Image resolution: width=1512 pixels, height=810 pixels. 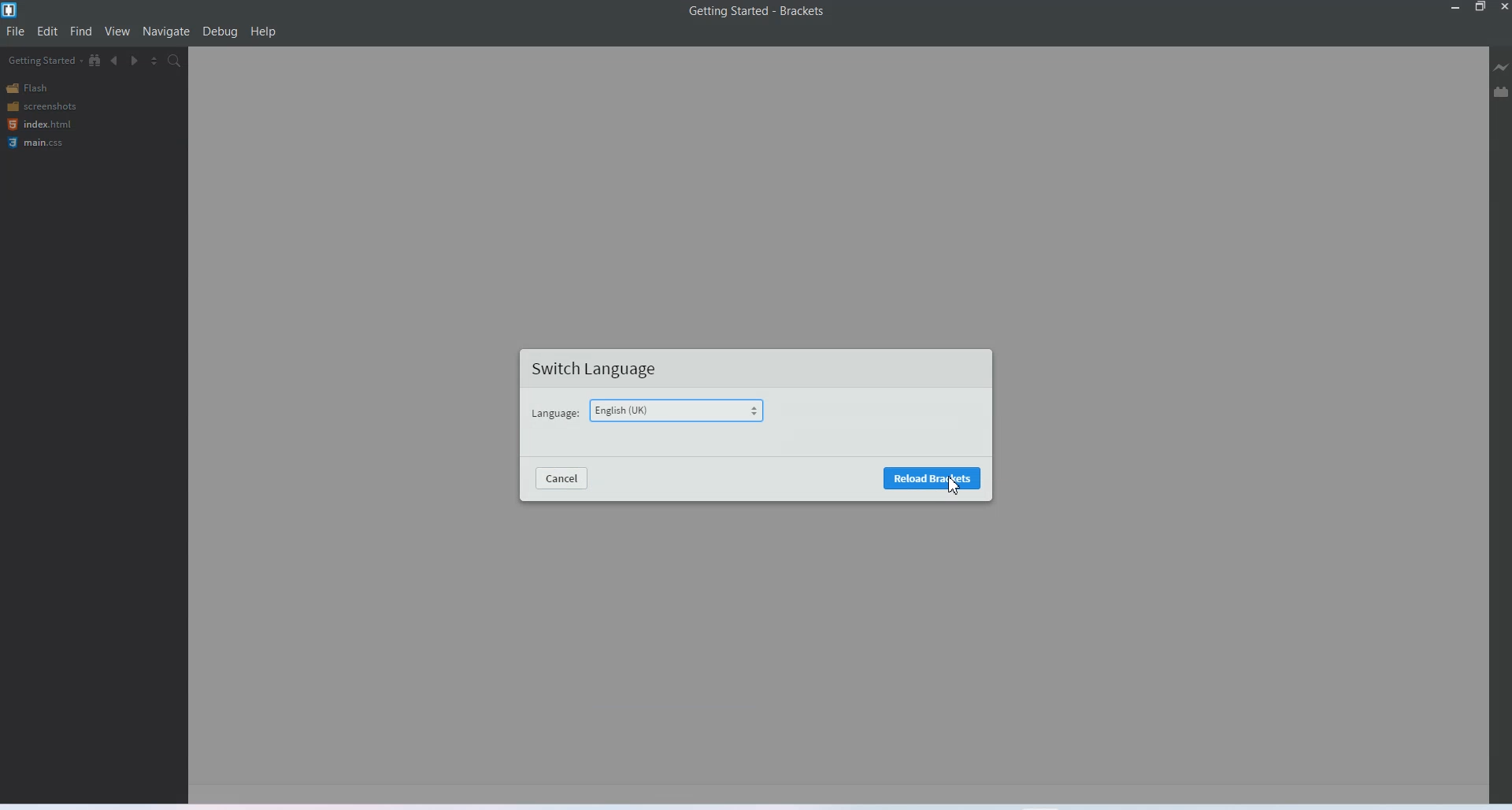 I want to click on Show in the file tree, so click(x=95, y=60).